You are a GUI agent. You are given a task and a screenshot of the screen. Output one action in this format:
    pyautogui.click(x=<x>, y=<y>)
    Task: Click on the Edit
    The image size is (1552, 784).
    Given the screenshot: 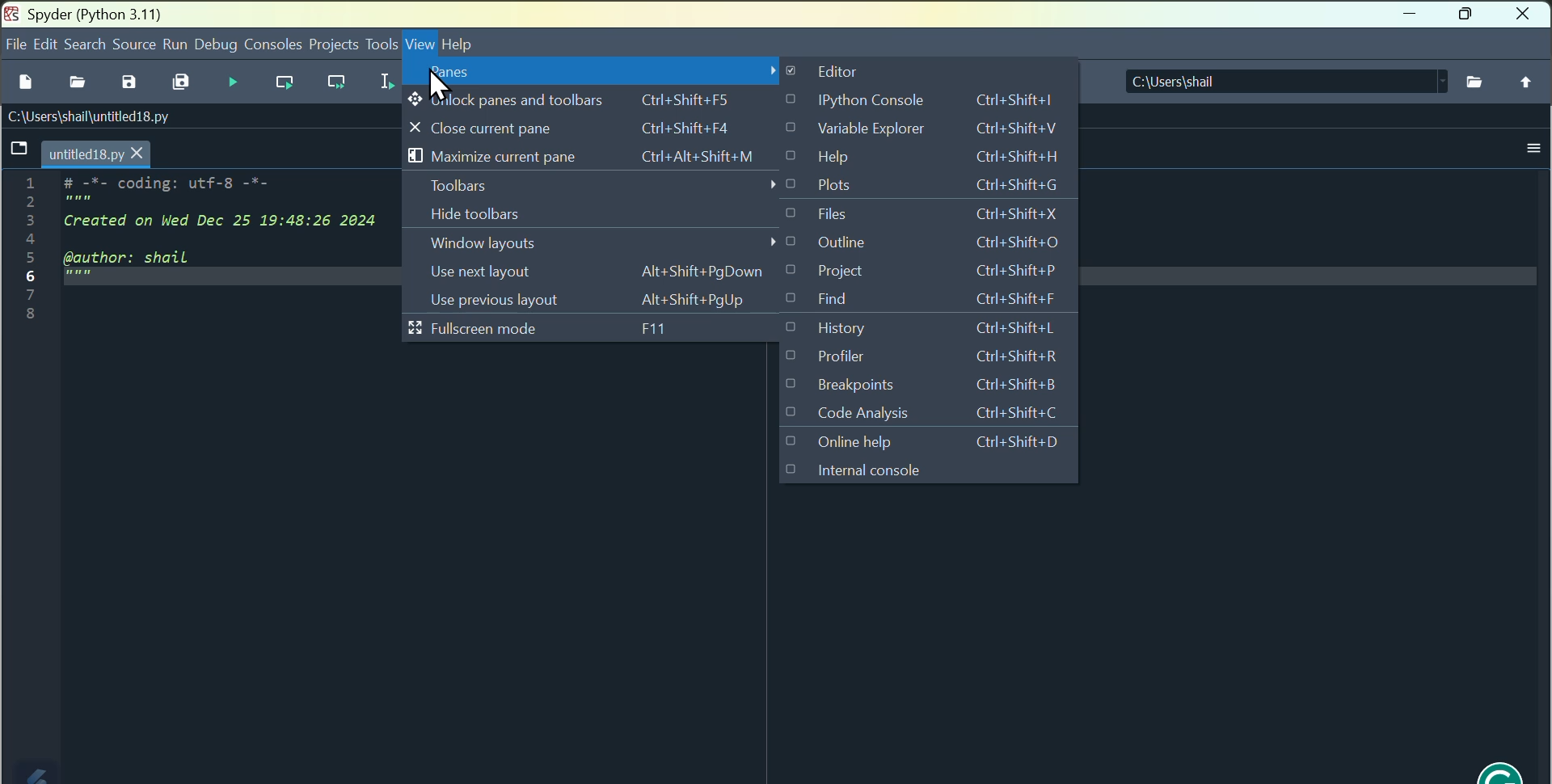 What is the action you would take?
    pyautogui.click(x=44, y=44)
    